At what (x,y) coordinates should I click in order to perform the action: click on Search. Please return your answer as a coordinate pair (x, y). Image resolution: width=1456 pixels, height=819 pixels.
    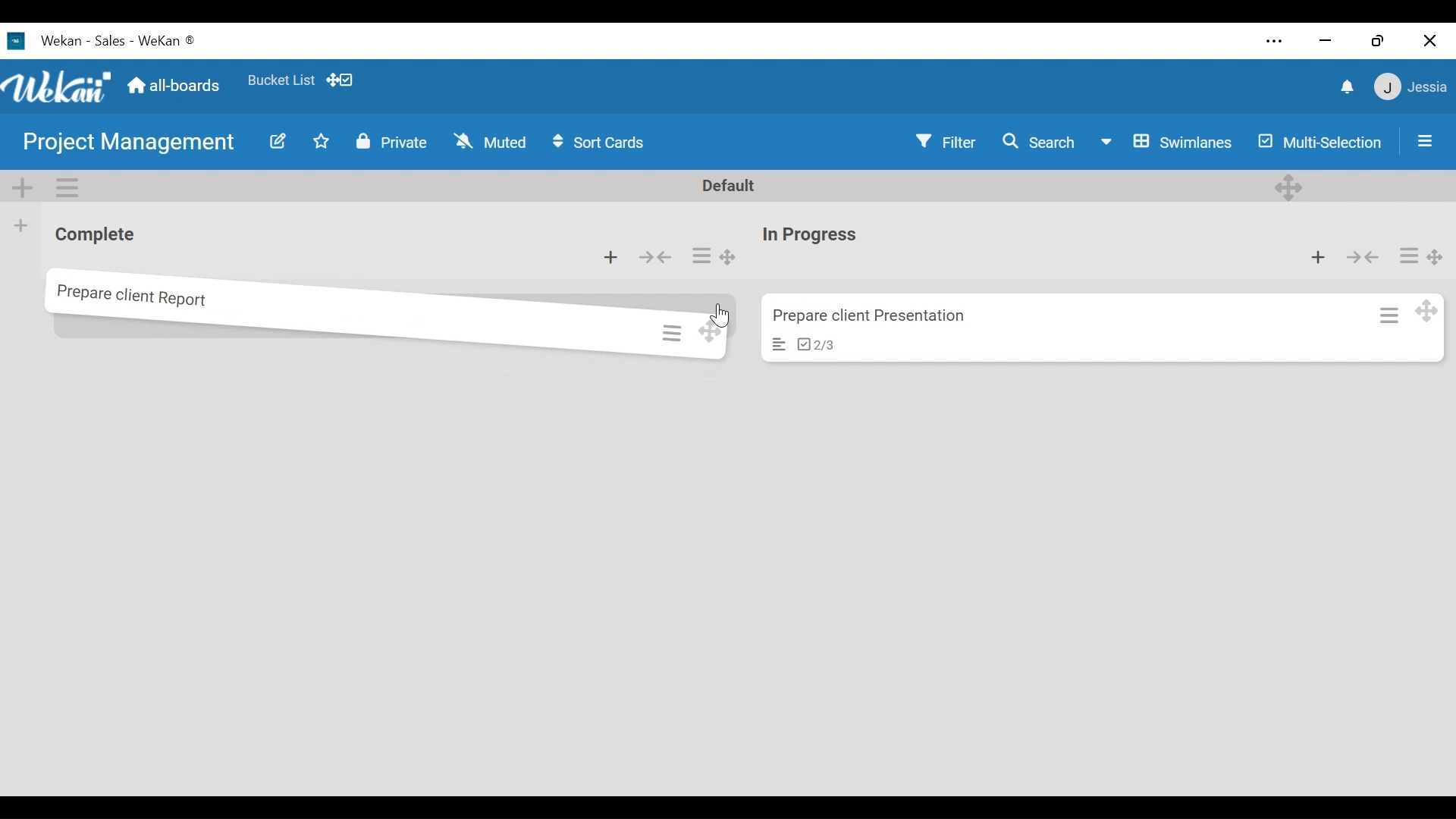
    Looking at the image, I should click on (1041, 143).